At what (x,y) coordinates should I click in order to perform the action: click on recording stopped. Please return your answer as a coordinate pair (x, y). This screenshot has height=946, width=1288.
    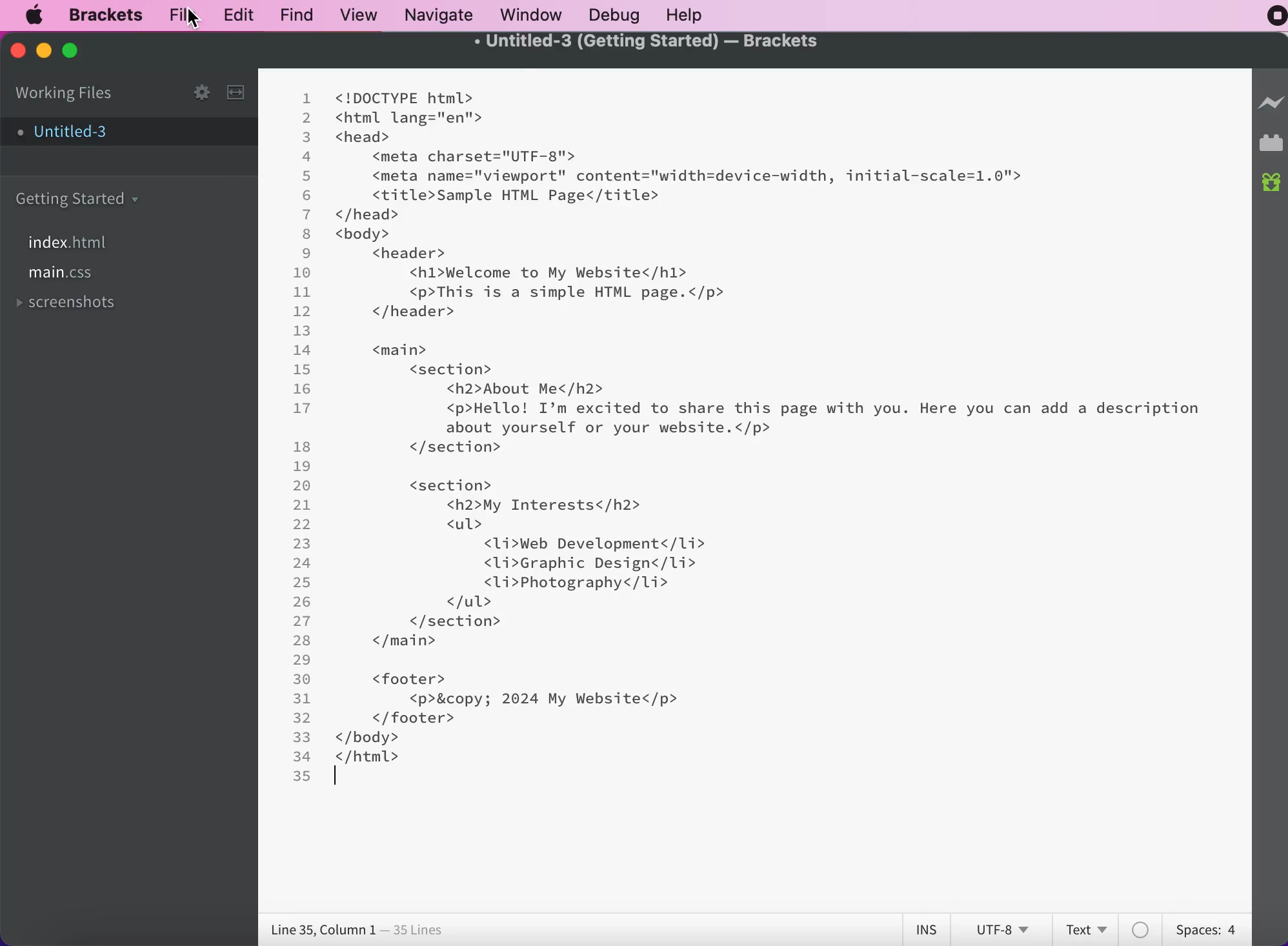
    Looking at the image, I should click on (1277, 17).